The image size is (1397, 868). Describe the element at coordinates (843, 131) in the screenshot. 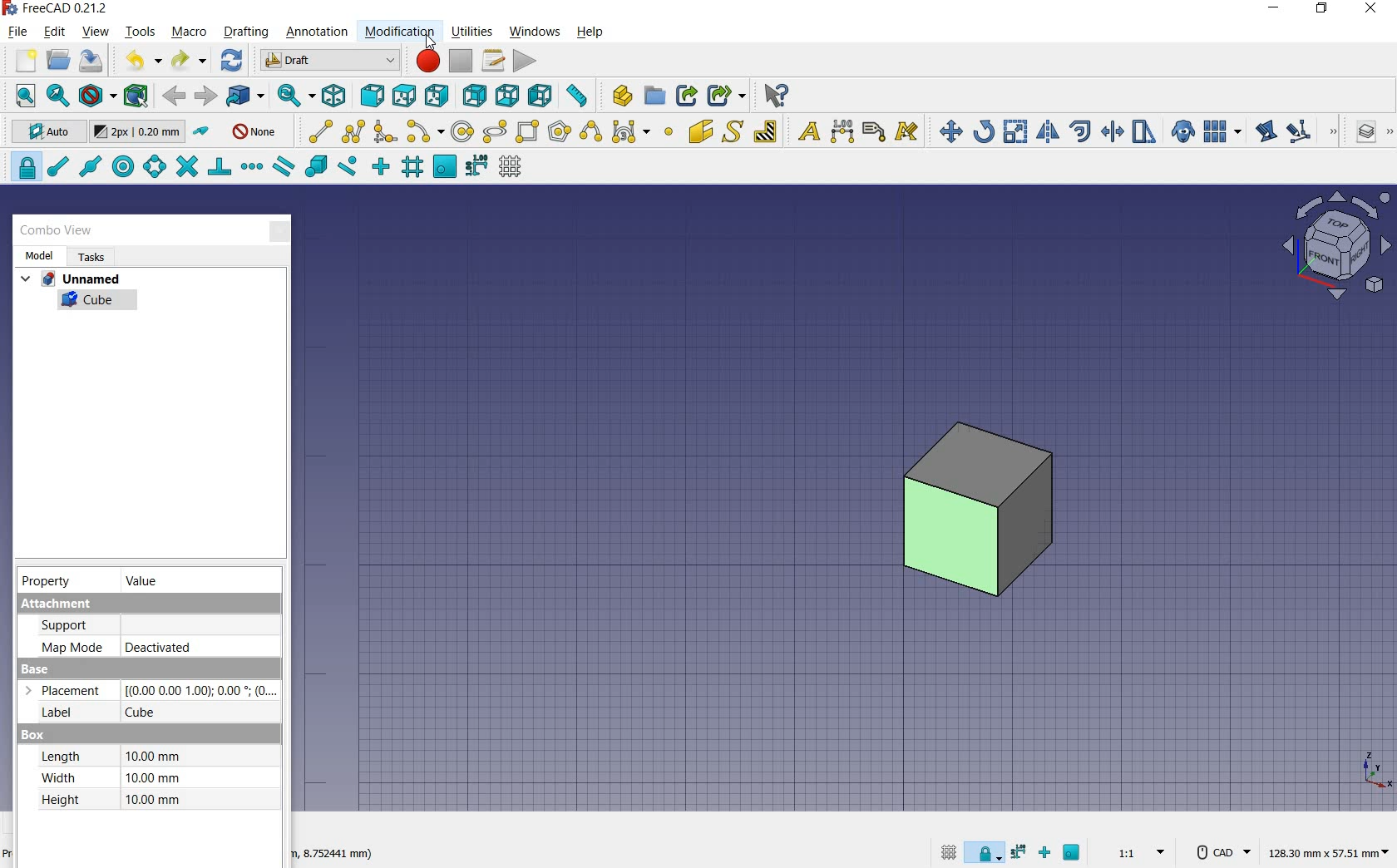

I see `dimension` at that location.